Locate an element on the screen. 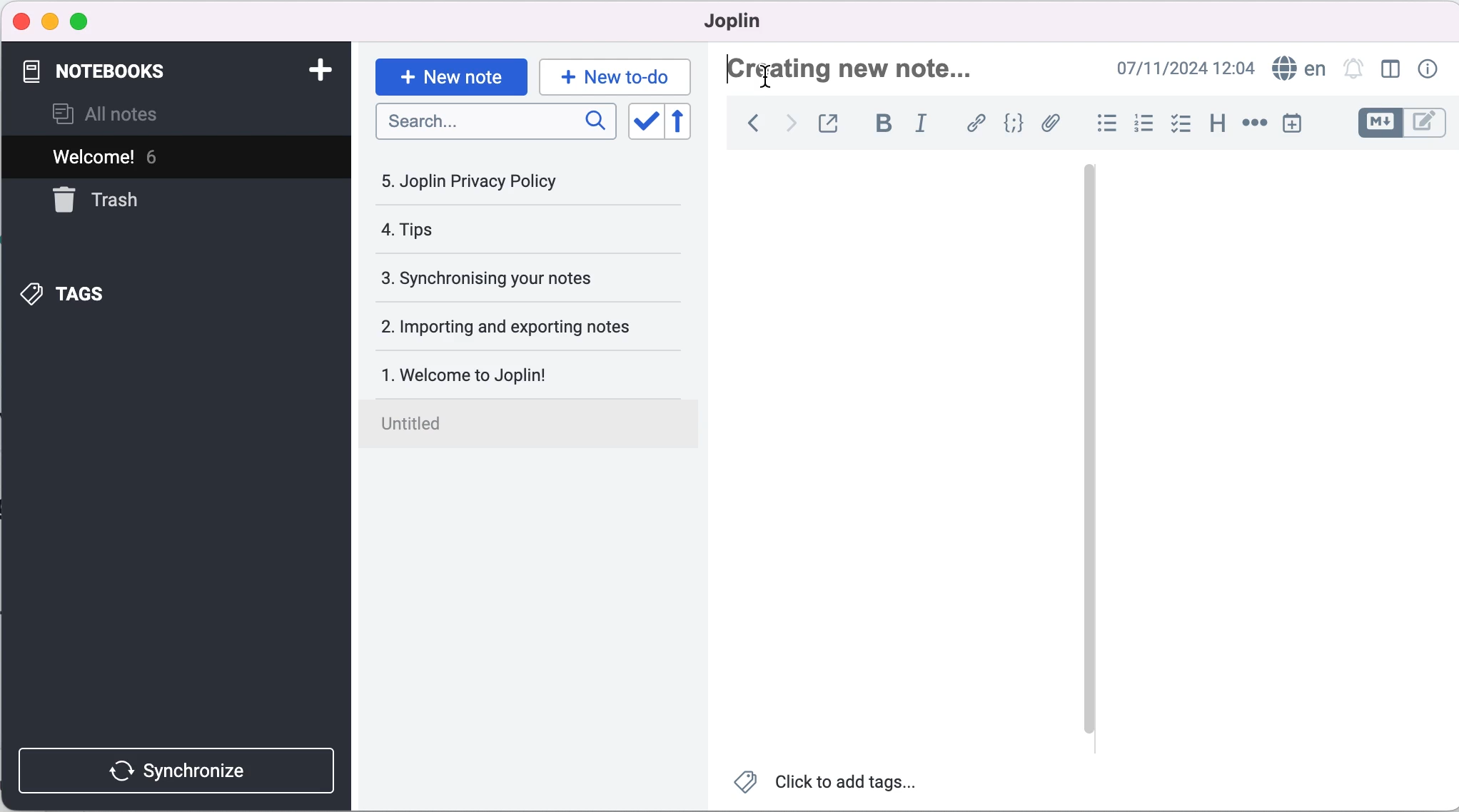 The image size is (1459, 812). untitled note is located at coordinates (533, 421).